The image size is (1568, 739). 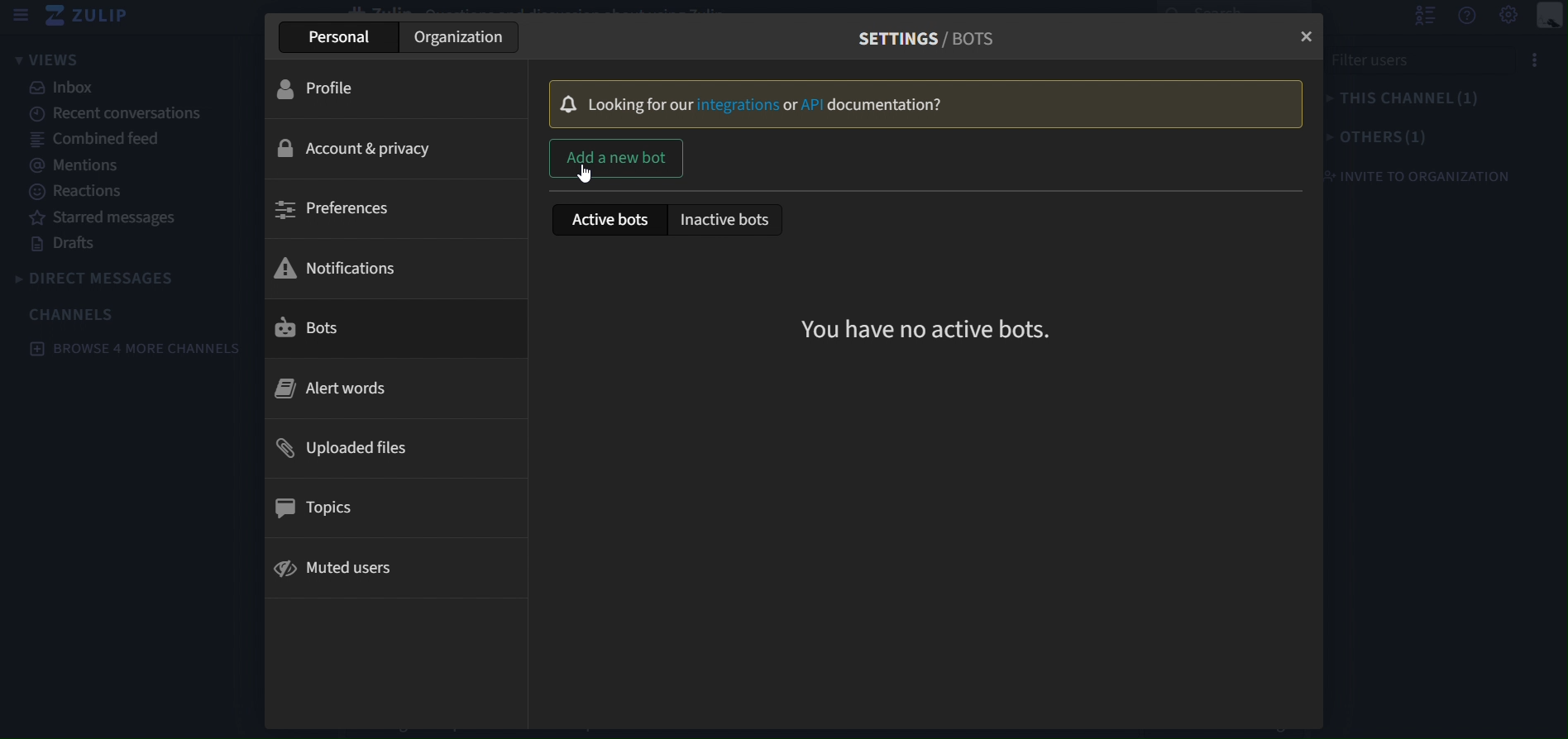 I want to click on profile, so click(x=386, y=87).